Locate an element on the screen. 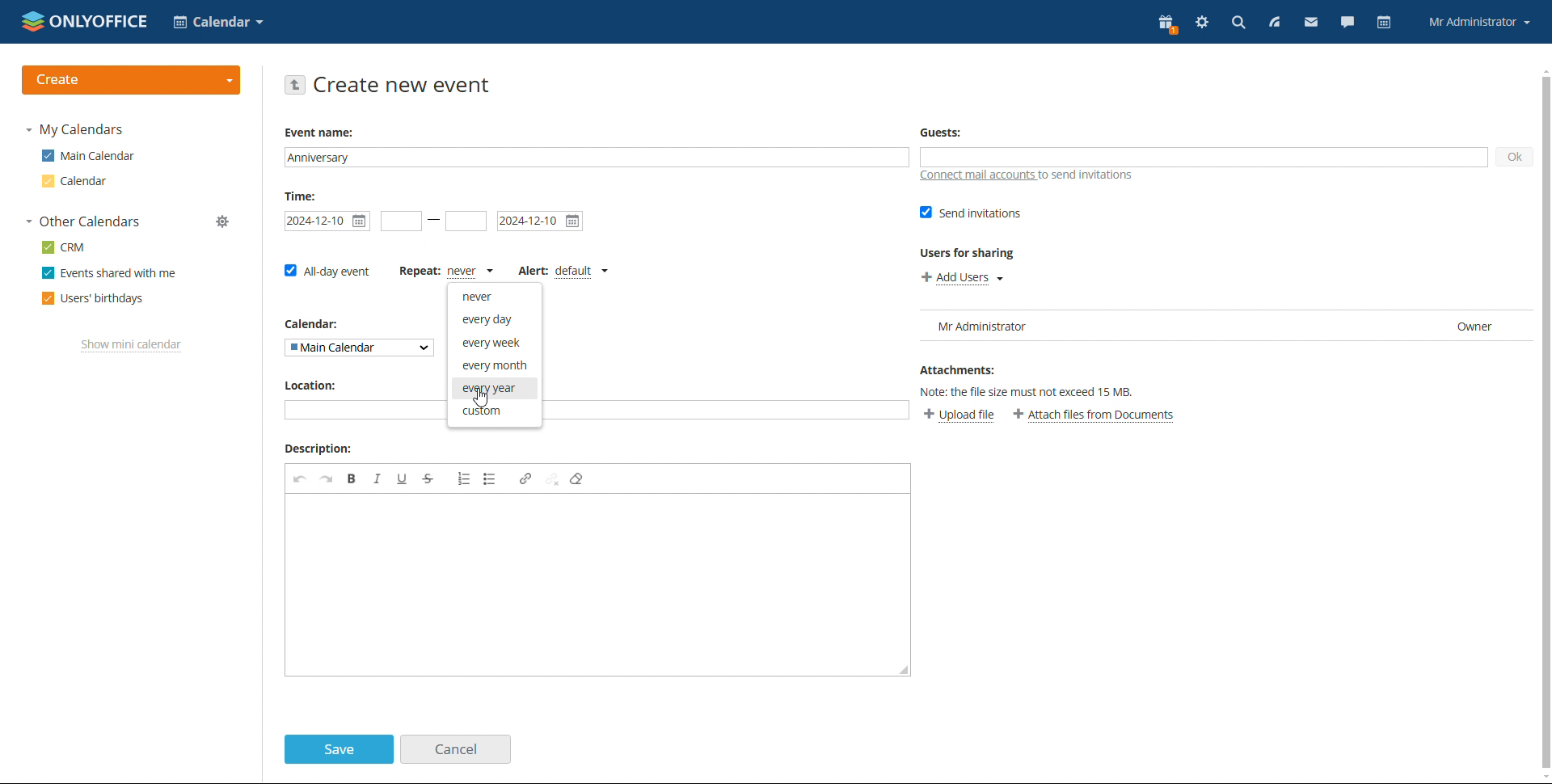  link is located at coordinates (526, 478).